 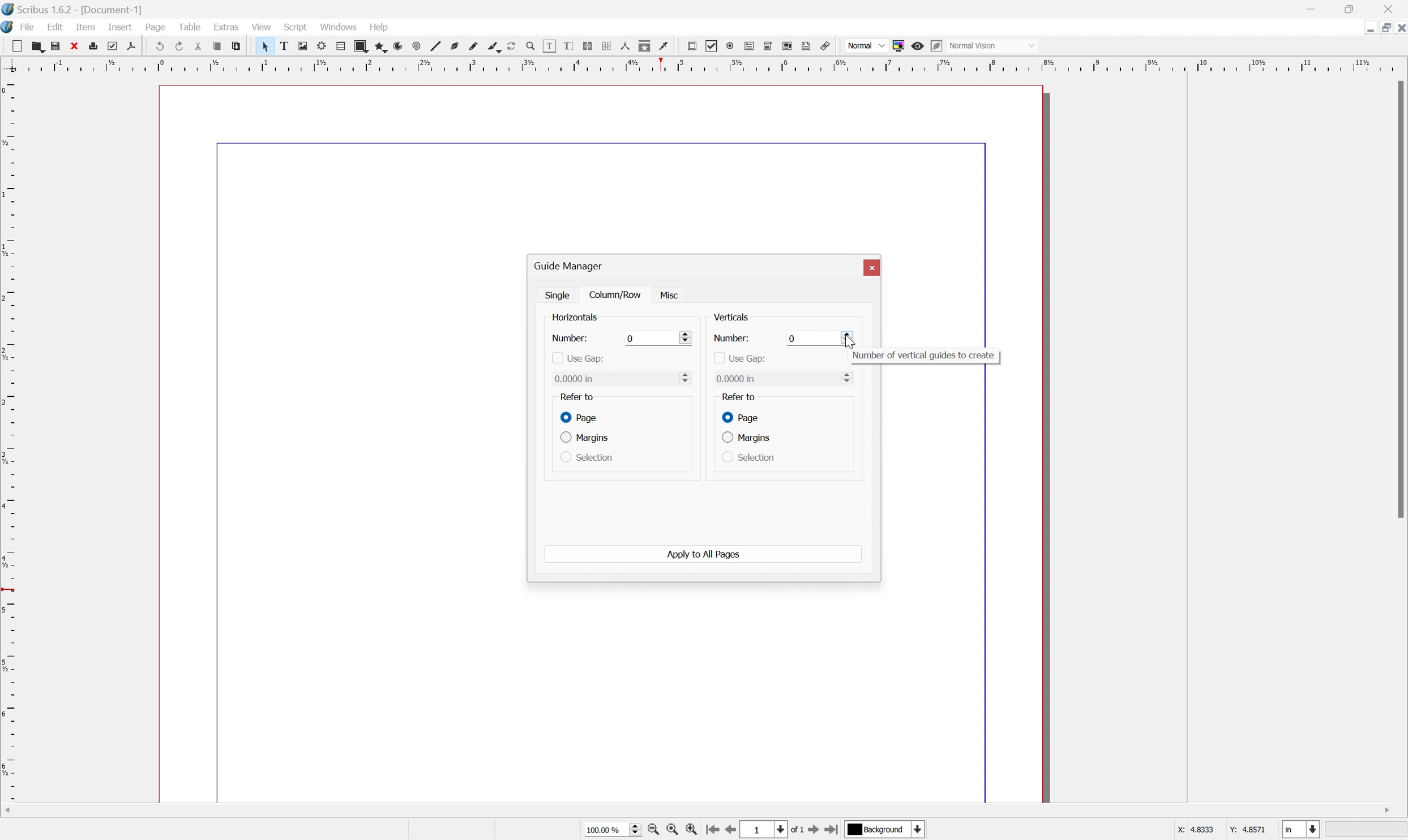 I want to click on page, so click(x=743, y=417).